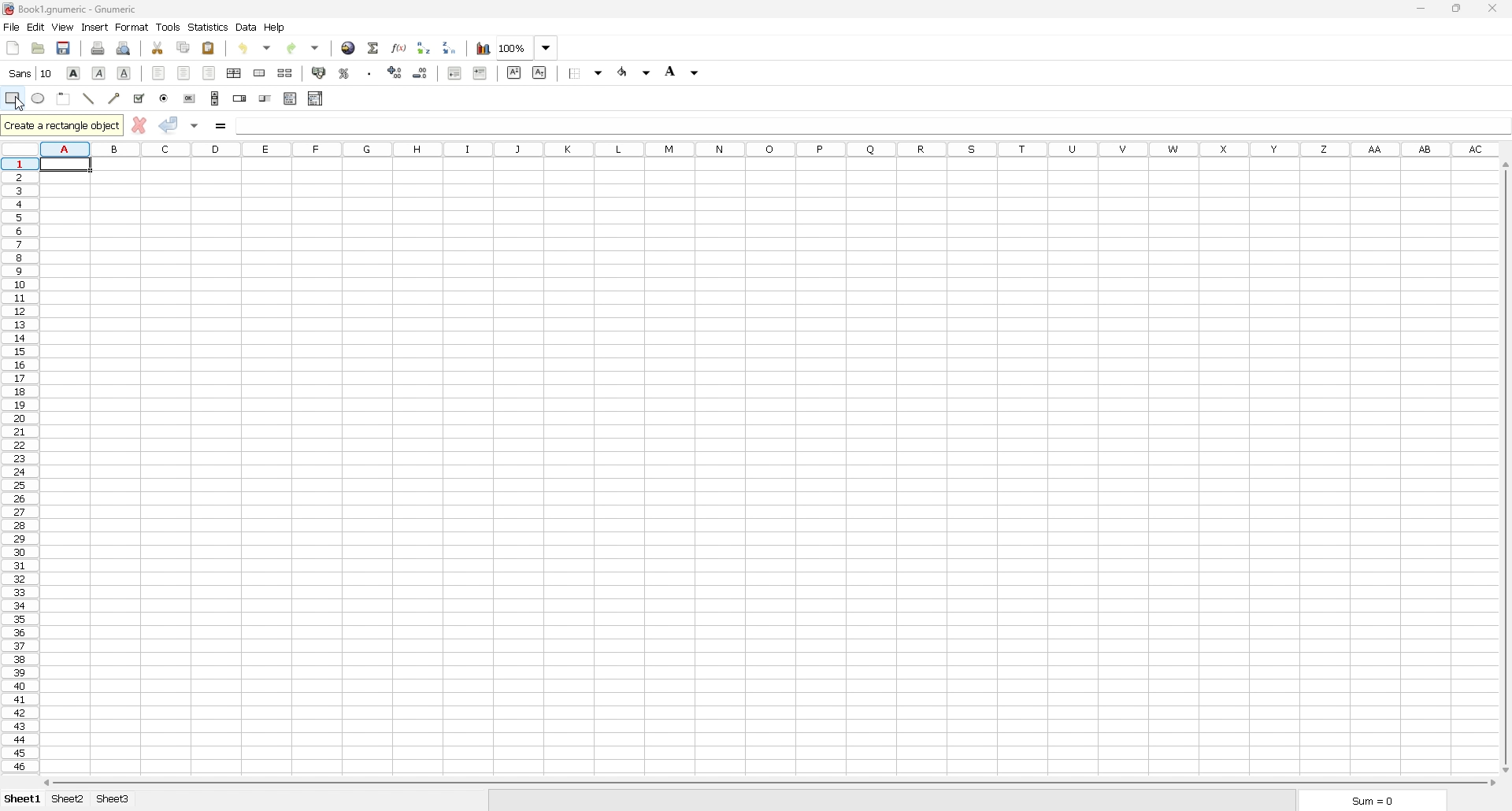 The height and width of the screenshot is (811, 1512). Describe the element at coordinates (69, 799) in the screenshot. I see `sheet 2` at that location.